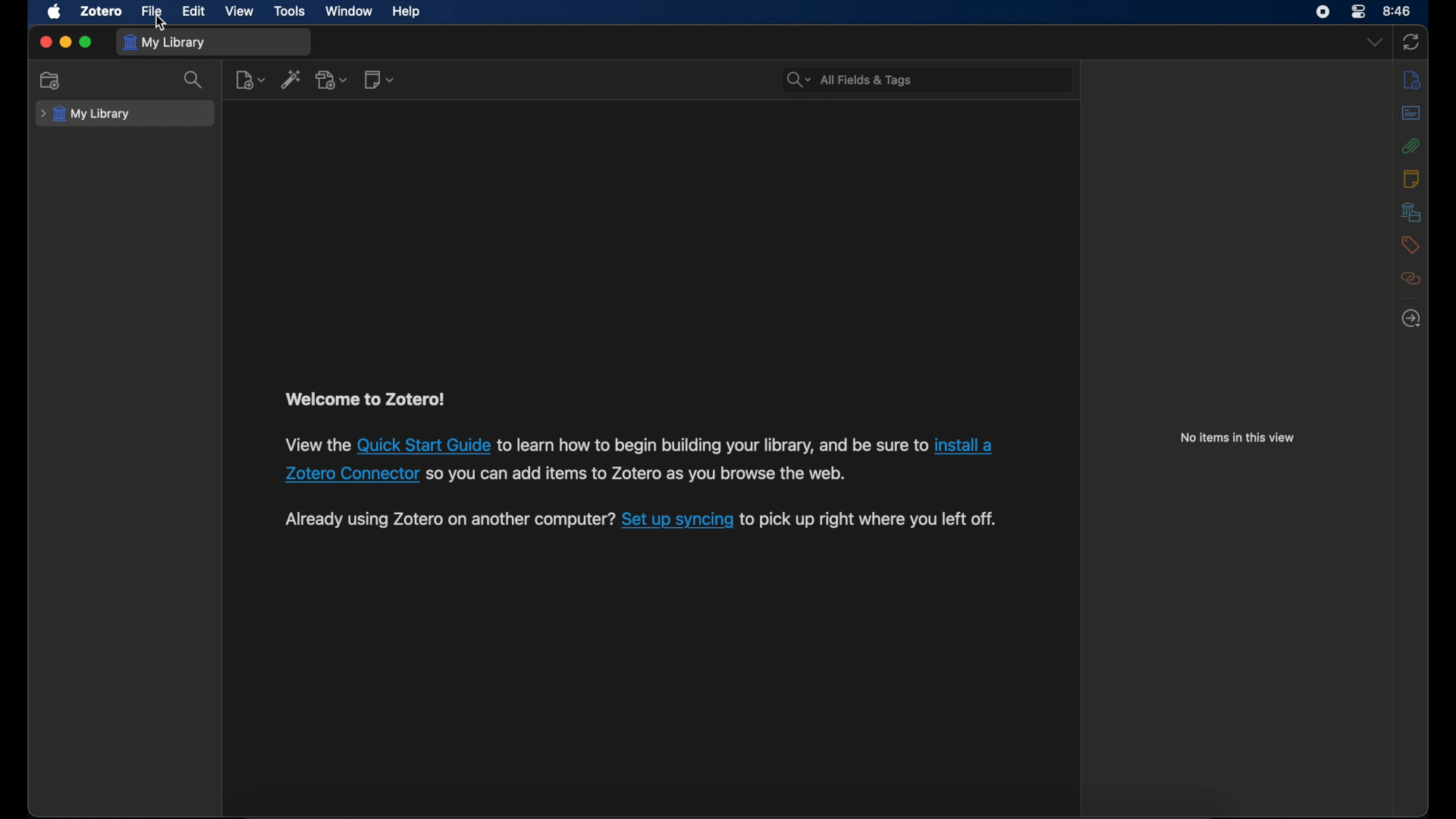 The height and width of the screenshot is (819, 1456). What do you see at coordinates (349, 475) in the screenshot?
I see `Zotero connector link` at bounding box center [349, 475].